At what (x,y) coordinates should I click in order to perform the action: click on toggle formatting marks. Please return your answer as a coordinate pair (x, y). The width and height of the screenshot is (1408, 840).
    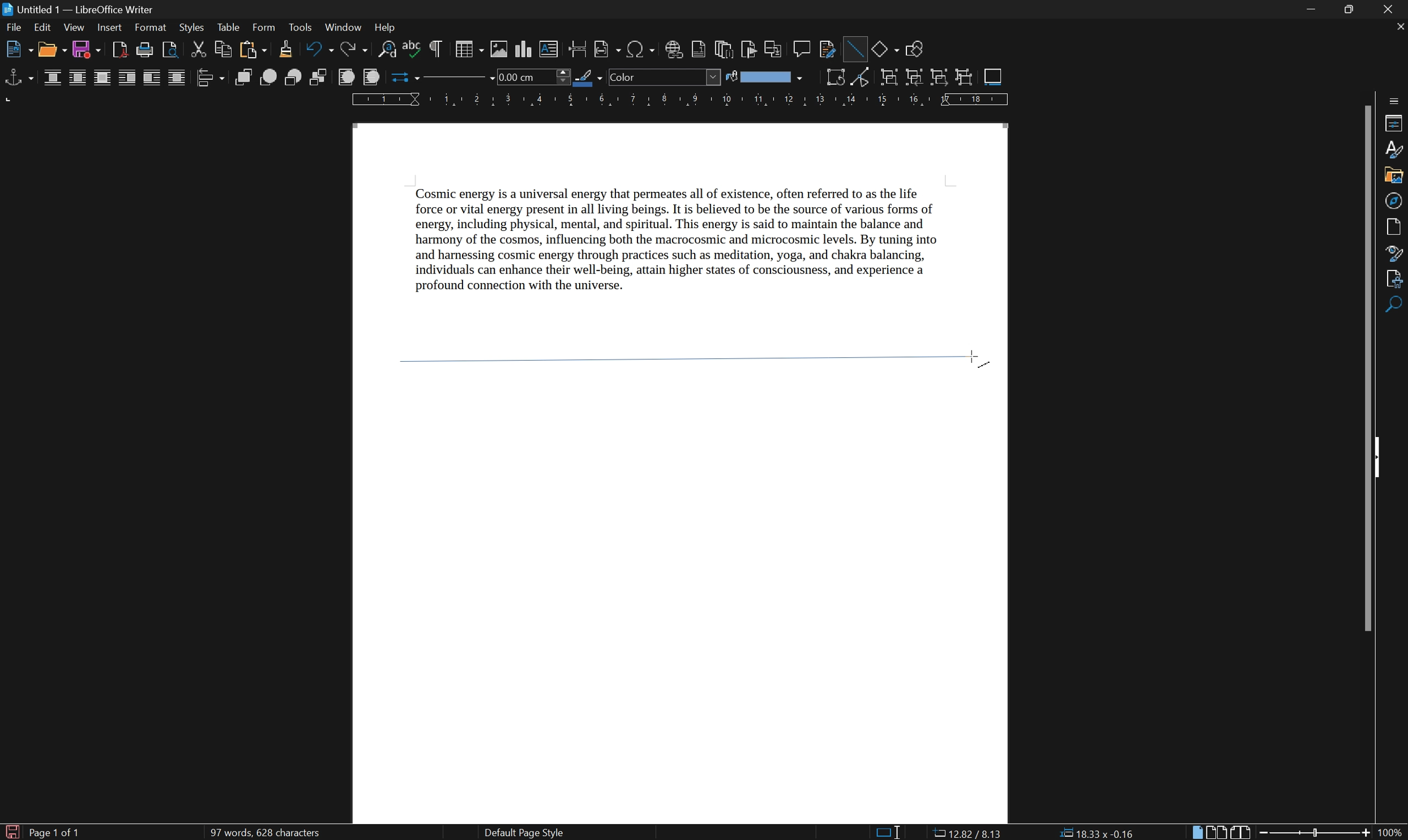
    Looking at the image, I should click on (436, 49).